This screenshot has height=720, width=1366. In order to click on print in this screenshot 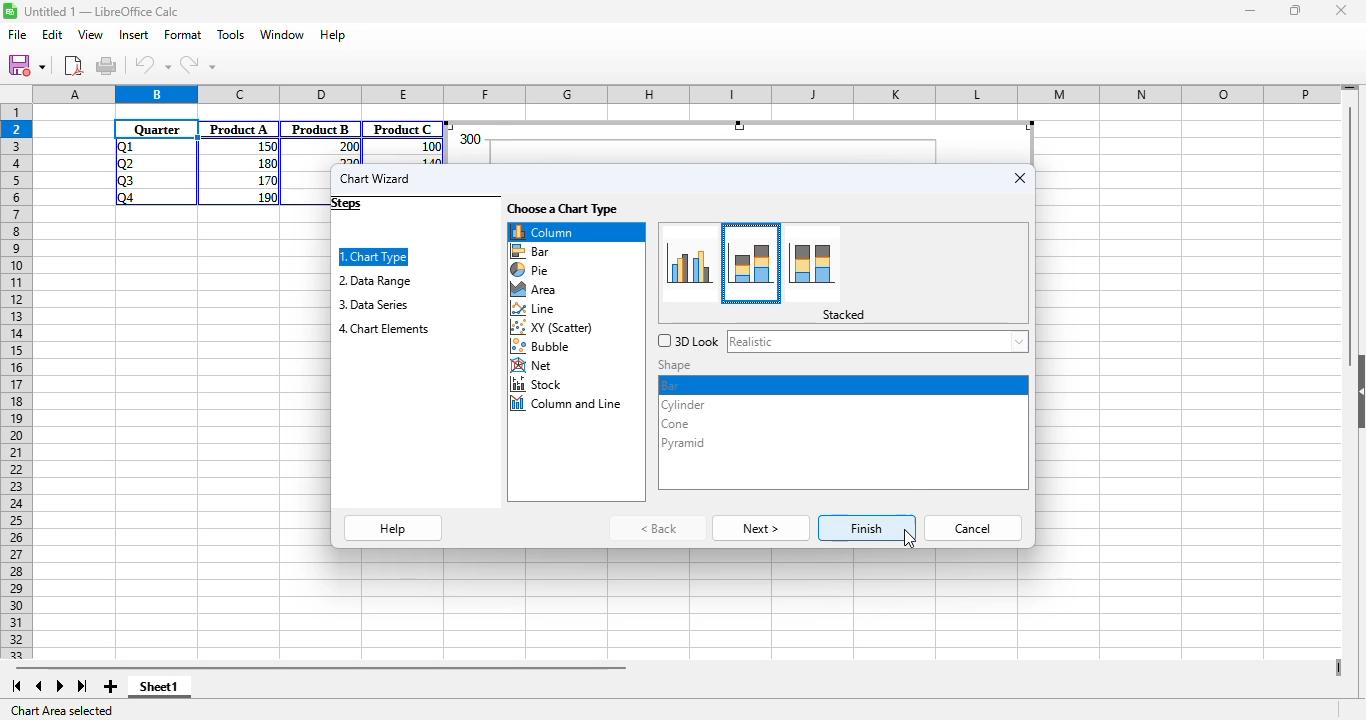, I will do `click(106, 65)`.